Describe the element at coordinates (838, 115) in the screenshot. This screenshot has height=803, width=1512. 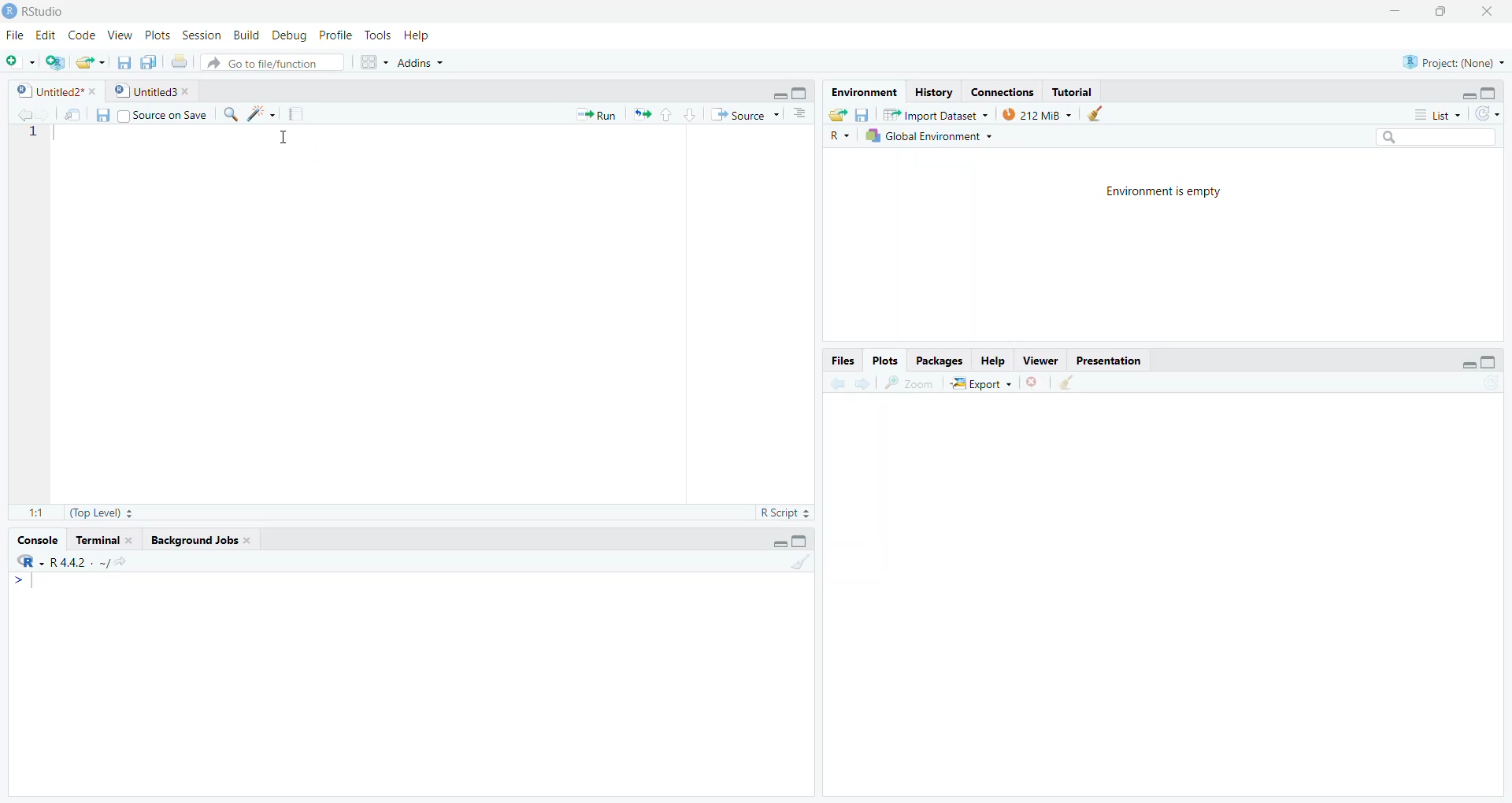
I see `load workspace` at that location.